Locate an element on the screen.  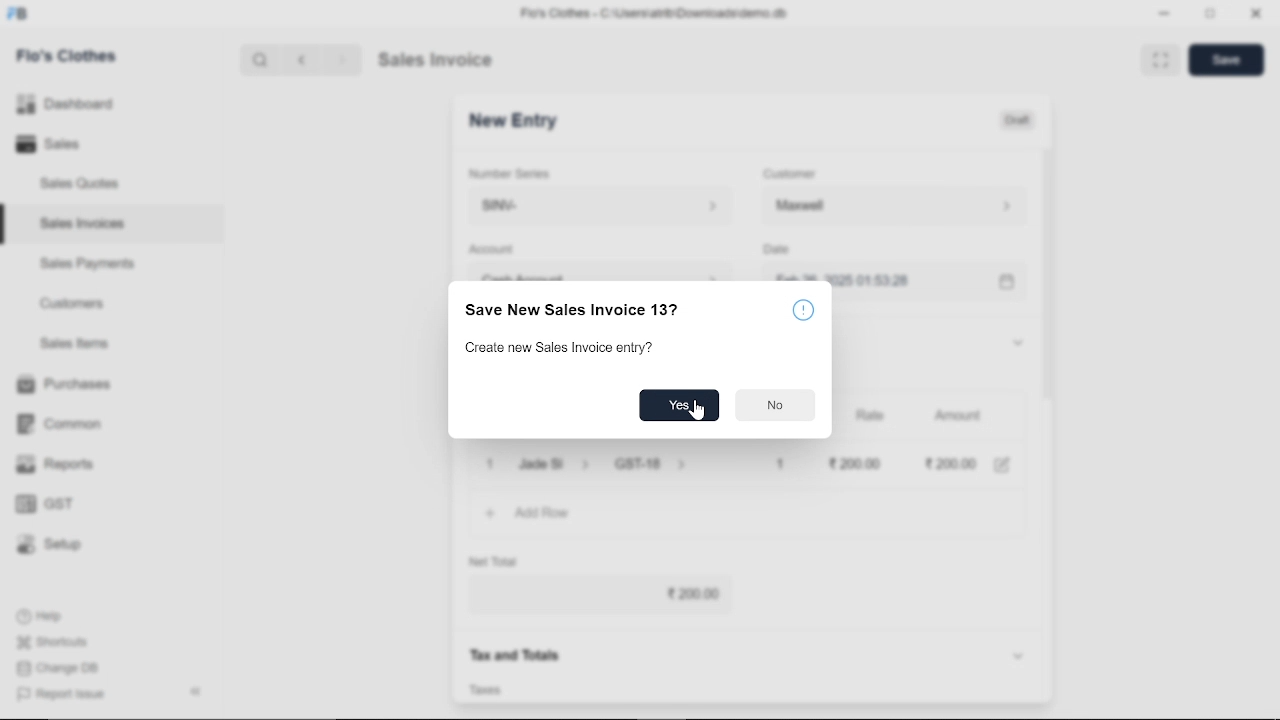
Create new Sales Invoice entry? is located at coordinates (562, 348).